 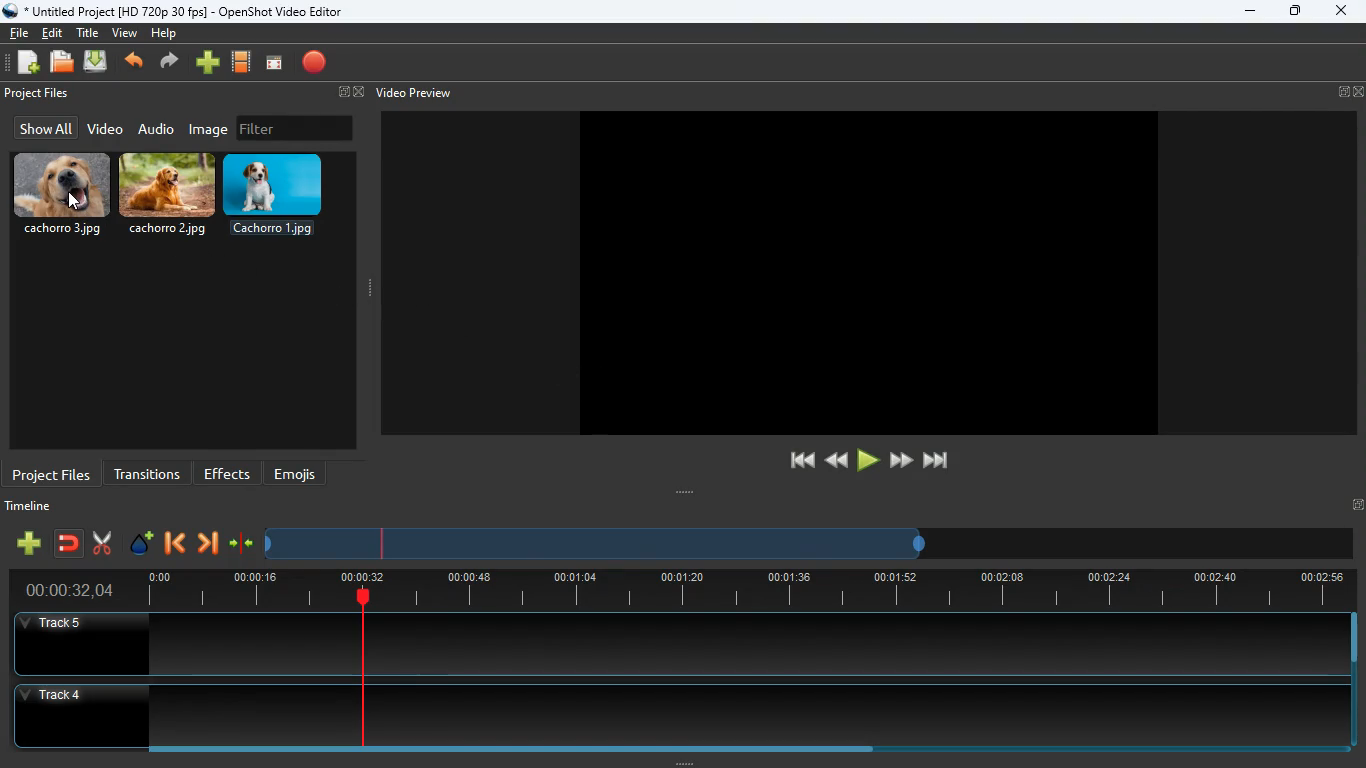 What do you see at coordinates (1354, 680) in the screenshot?
I see `Vertical slide bar` at bounding box center [1354, 680].